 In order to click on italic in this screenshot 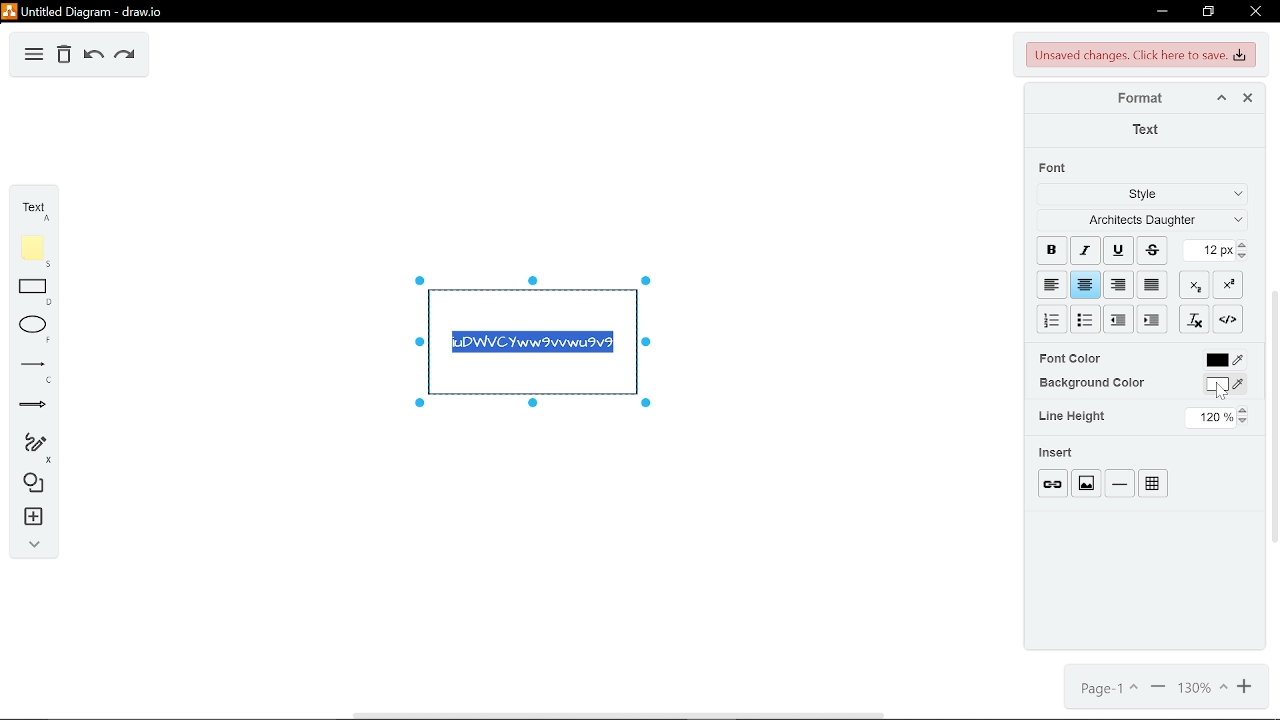, I will do `click(1086, 250)`.